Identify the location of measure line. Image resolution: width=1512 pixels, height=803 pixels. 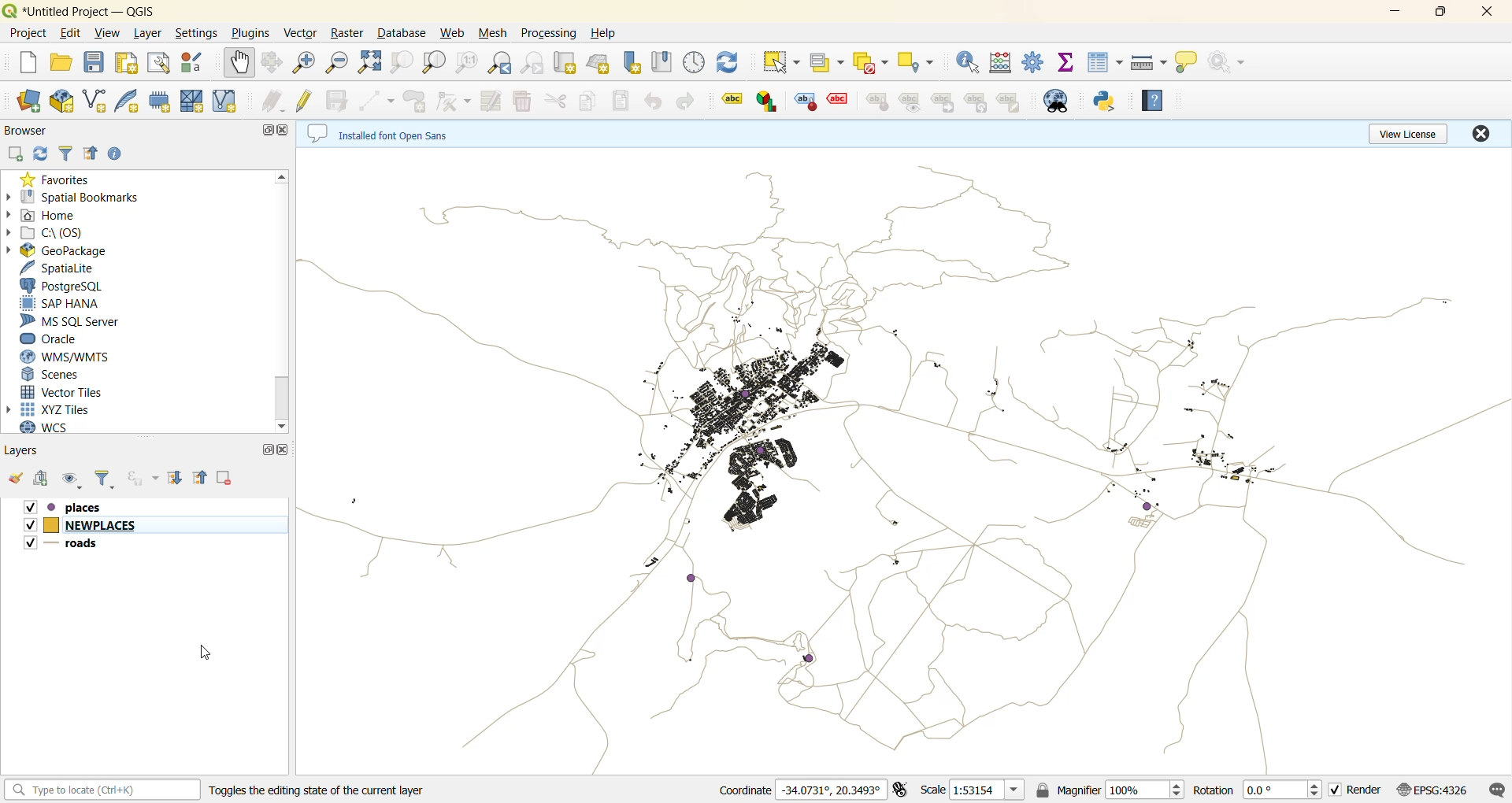
(1148, 63).